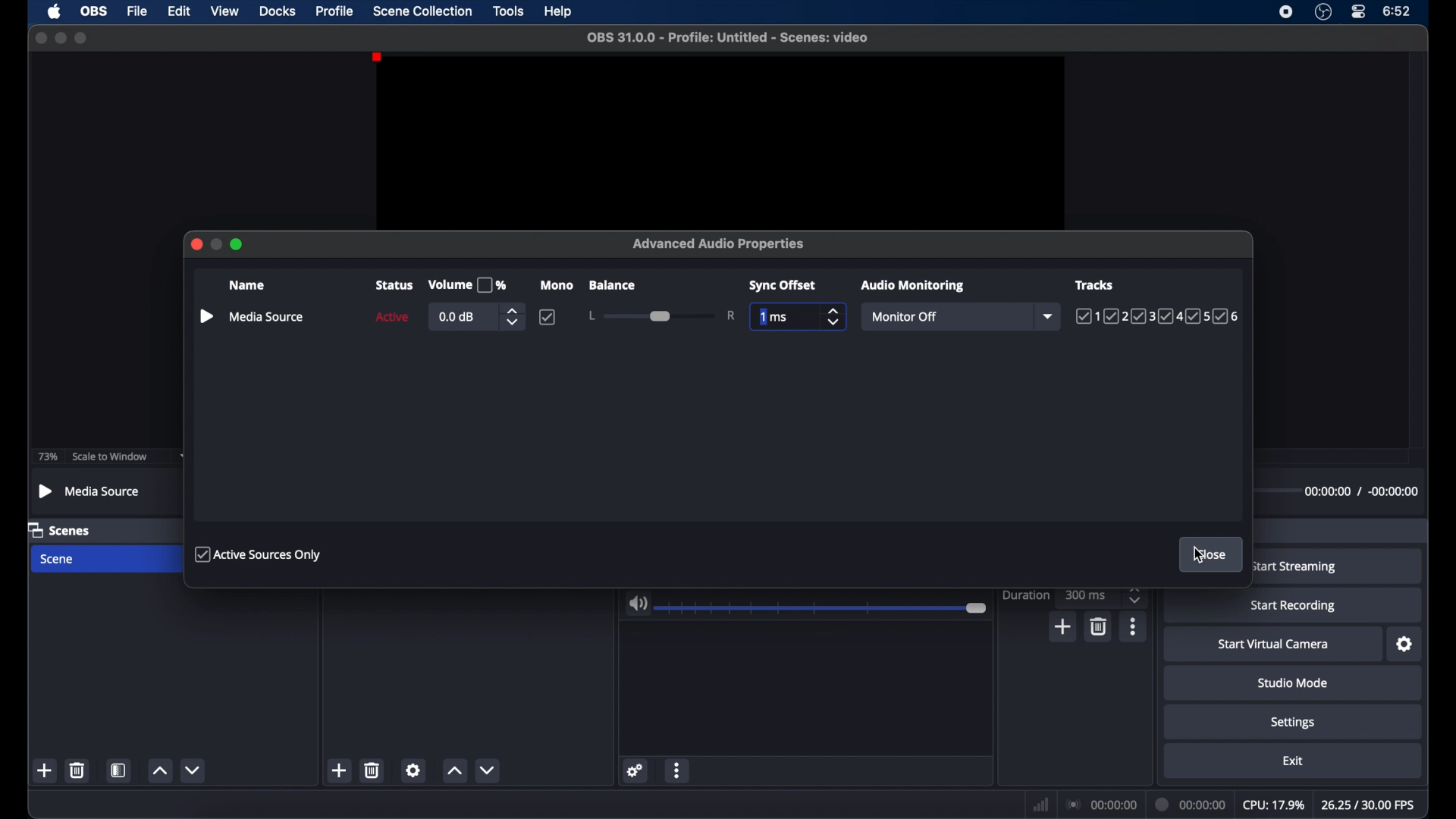 The height and width of the screenshot is (819, 1456). I want to click on volume, so click(637, 604).